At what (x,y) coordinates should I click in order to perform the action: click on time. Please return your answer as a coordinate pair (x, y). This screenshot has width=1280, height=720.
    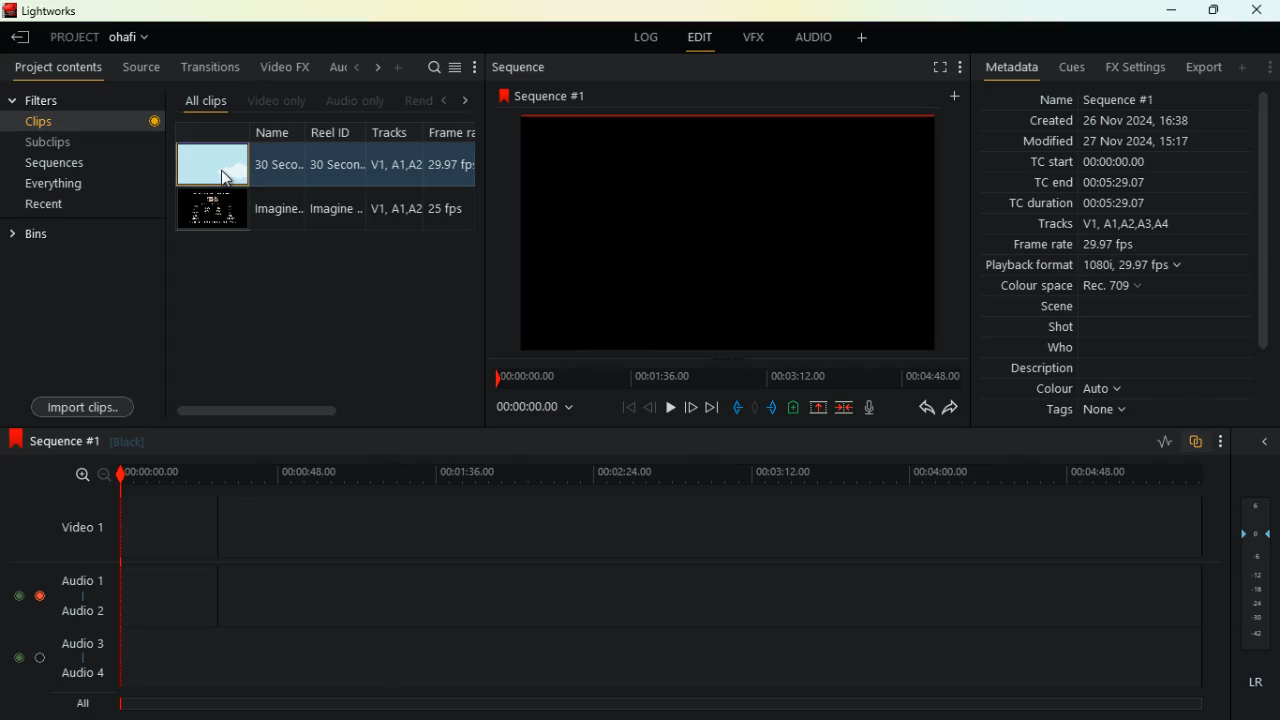
    Looking at the image, I should click on (527, 408).